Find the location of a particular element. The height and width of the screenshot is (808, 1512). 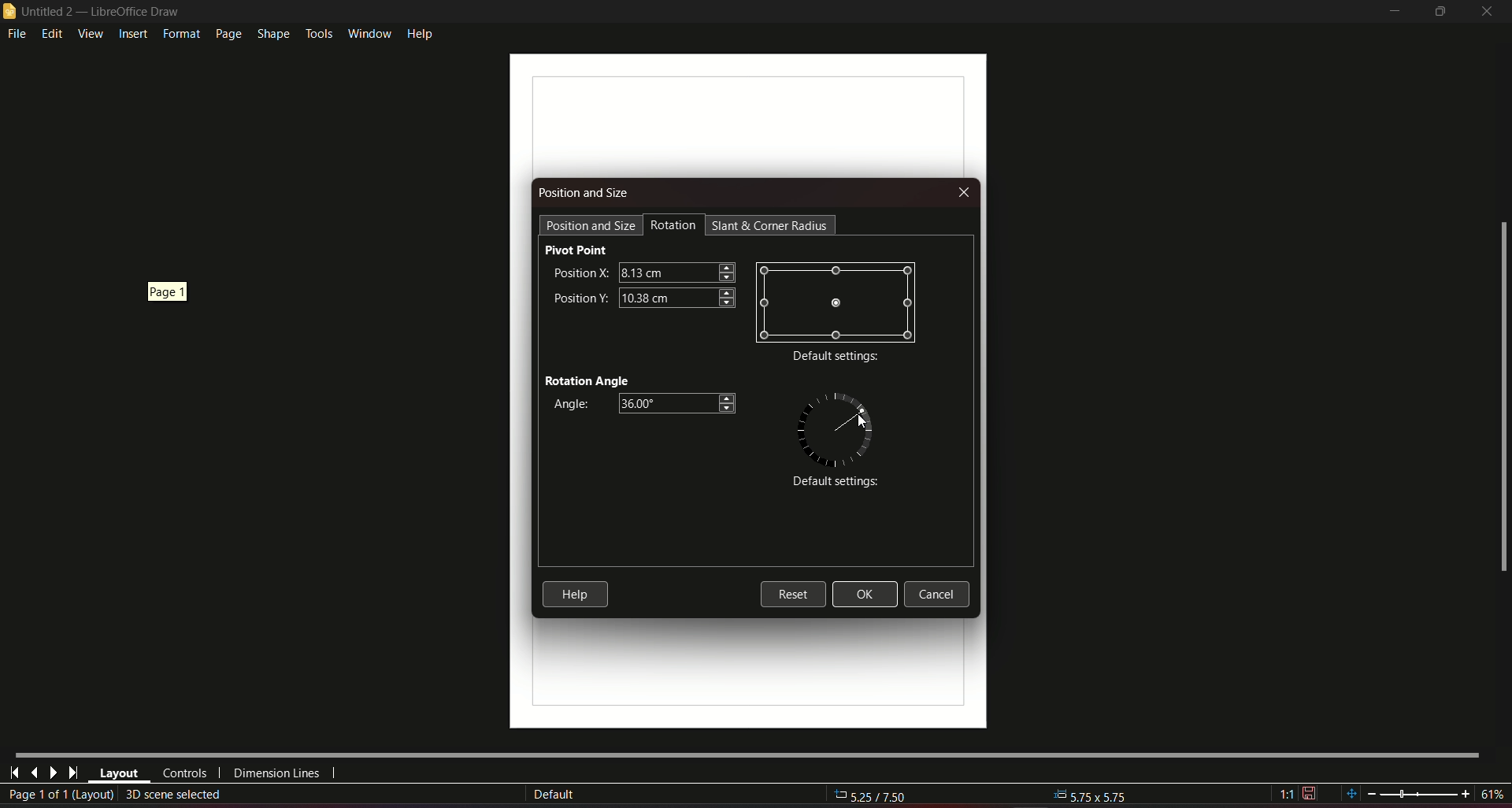

page 1 is located at coordinates (169, 289).